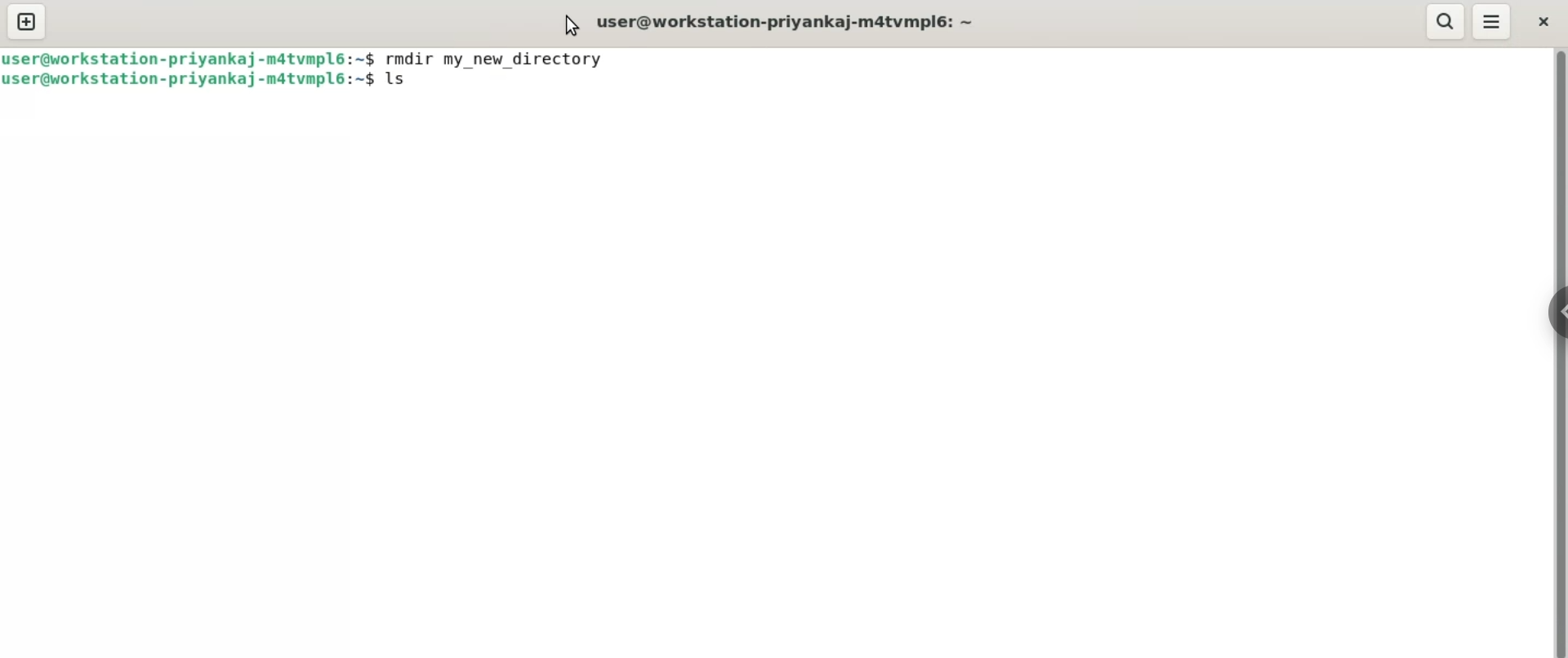 This screenshot has height=658, width=1568. What do you see at coordinates (192, 58) in the screenshot?
I see `user@workstation-priyanka-m4tvmpl6:~$` at bounding box center [192, 58].